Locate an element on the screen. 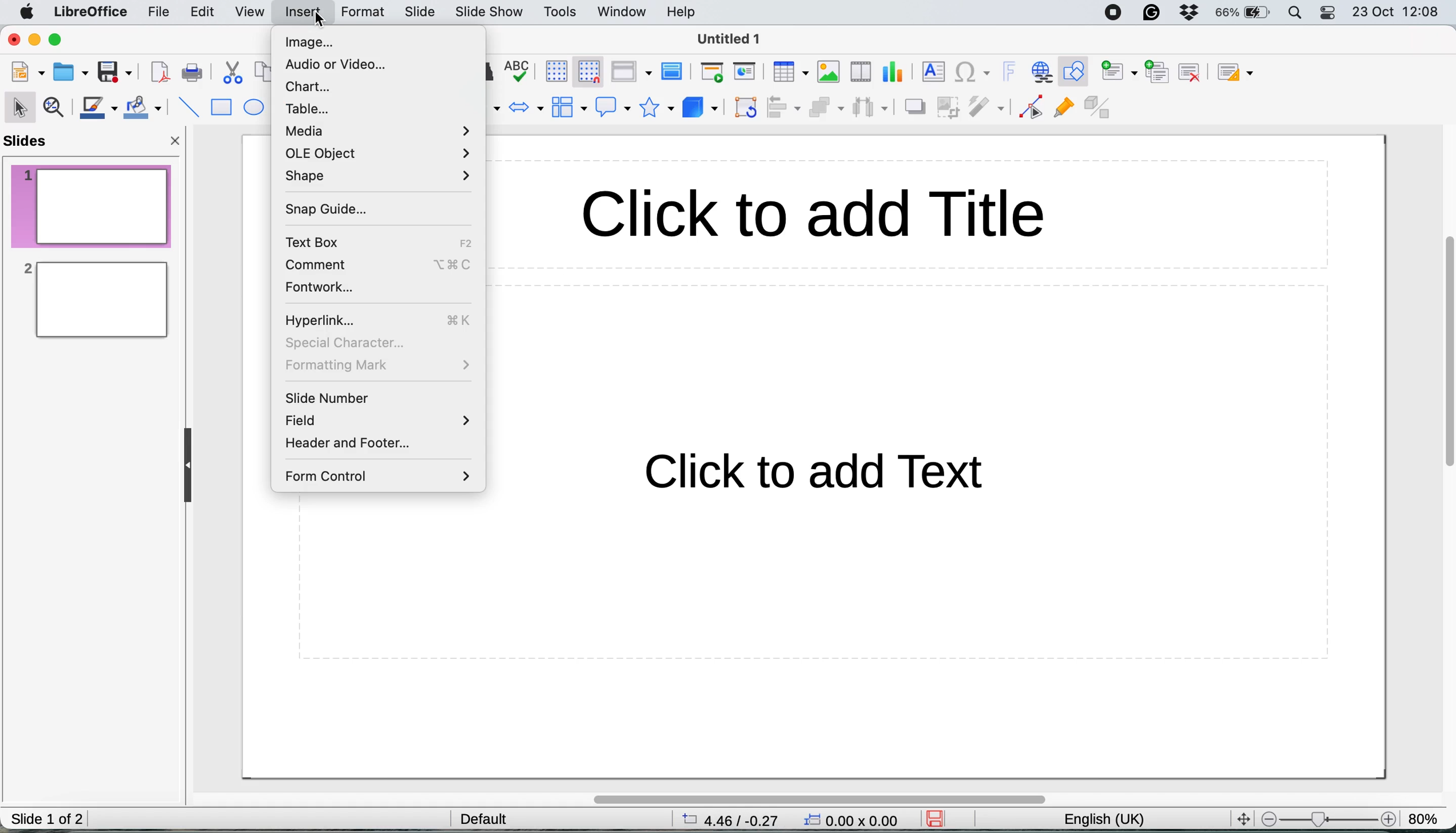 The width and height of the screenshot is (1456, 833). formatting mark is located at coordinates (378, 366).